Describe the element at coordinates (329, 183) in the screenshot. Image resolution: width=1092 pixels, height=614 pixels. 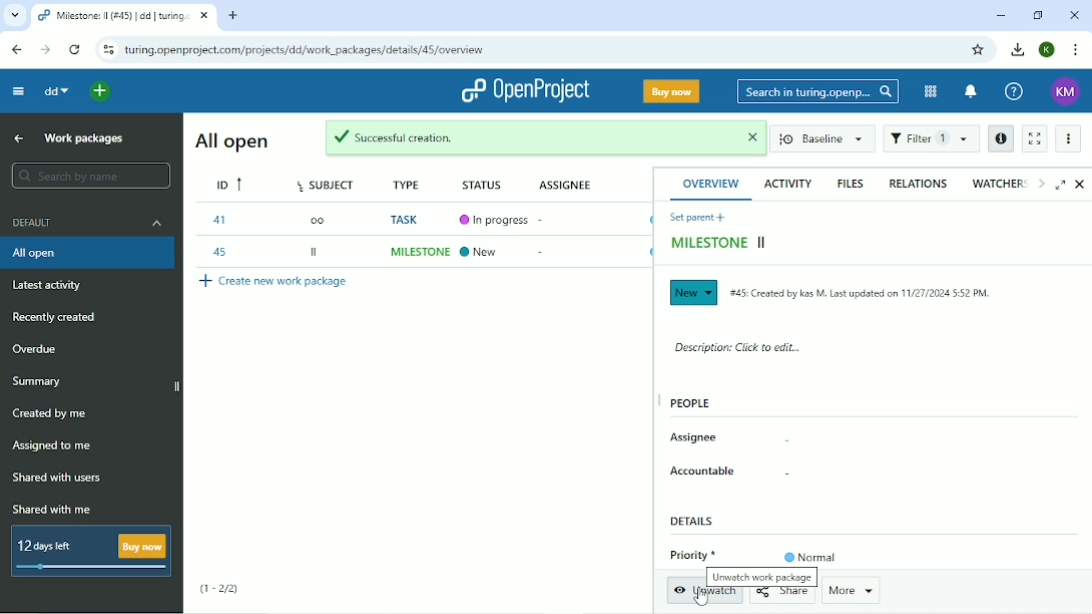
I see `Subject` at that location.